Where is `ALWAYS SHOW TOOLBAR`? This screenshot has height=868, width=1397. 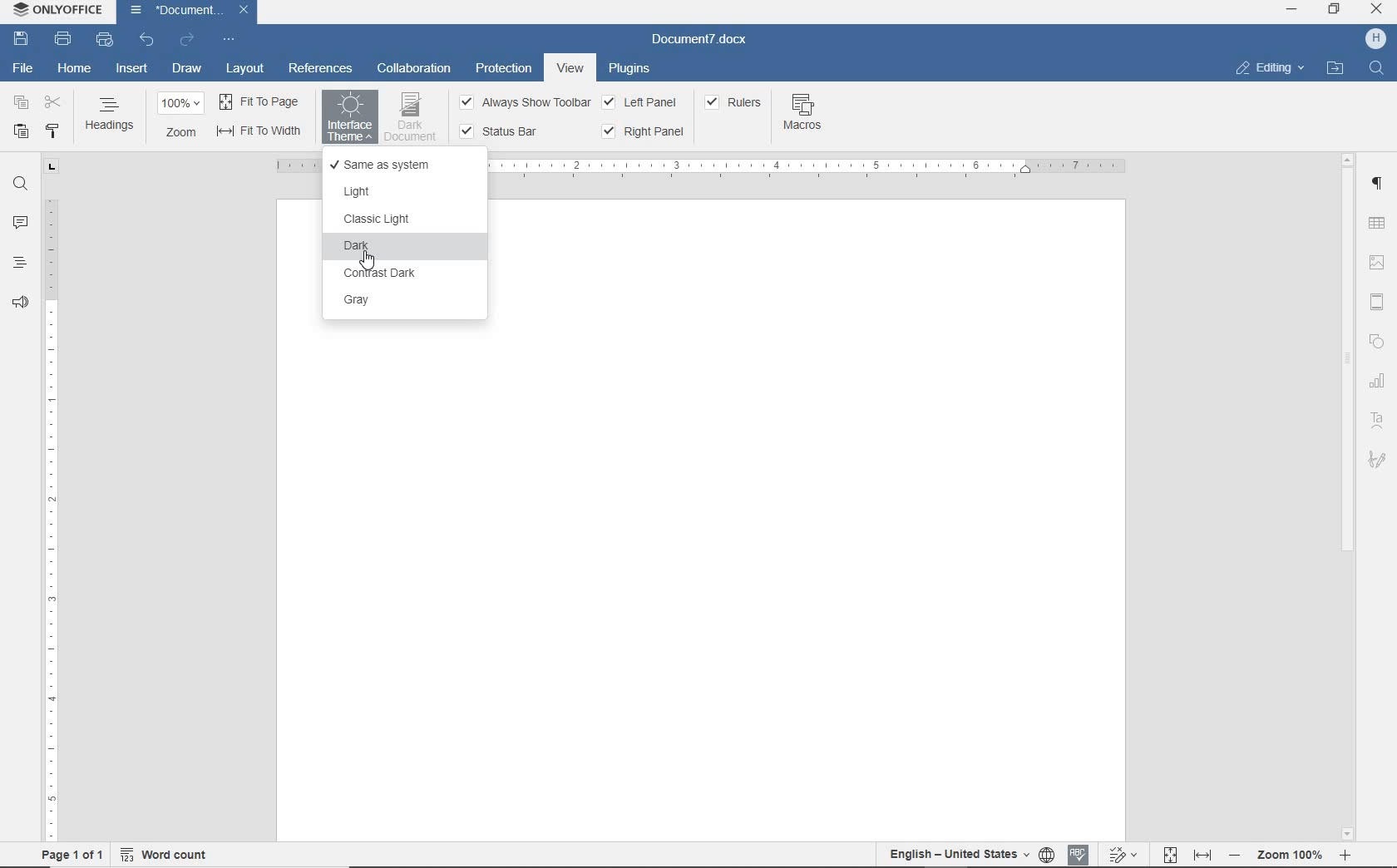 ALWAYS SHOW TOOLBAR is located at coordinates (526, 104).